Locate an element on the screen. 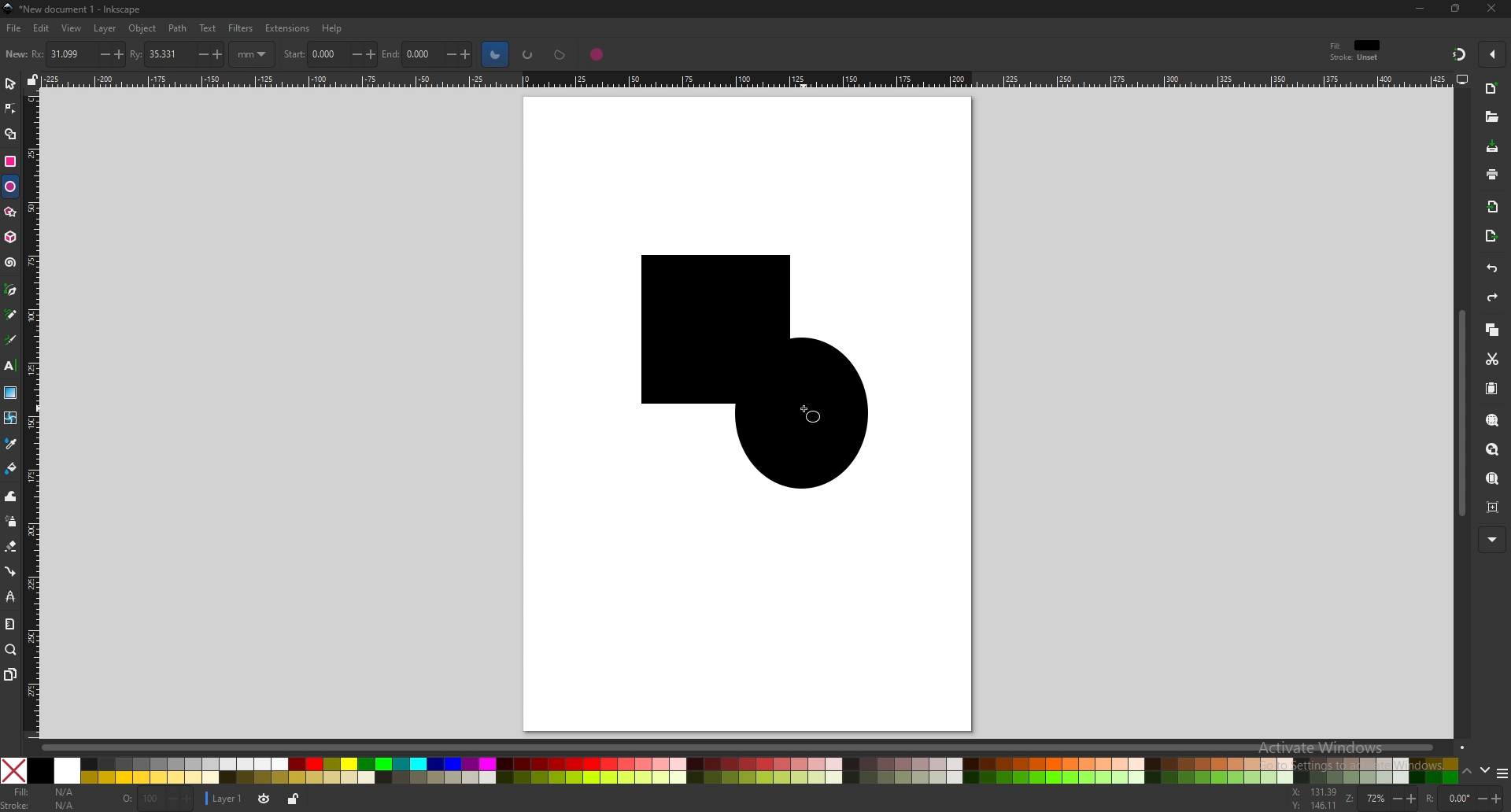 This screenshot has height=812, width=1511. horizontal radius is located at coordinates (78, 54).